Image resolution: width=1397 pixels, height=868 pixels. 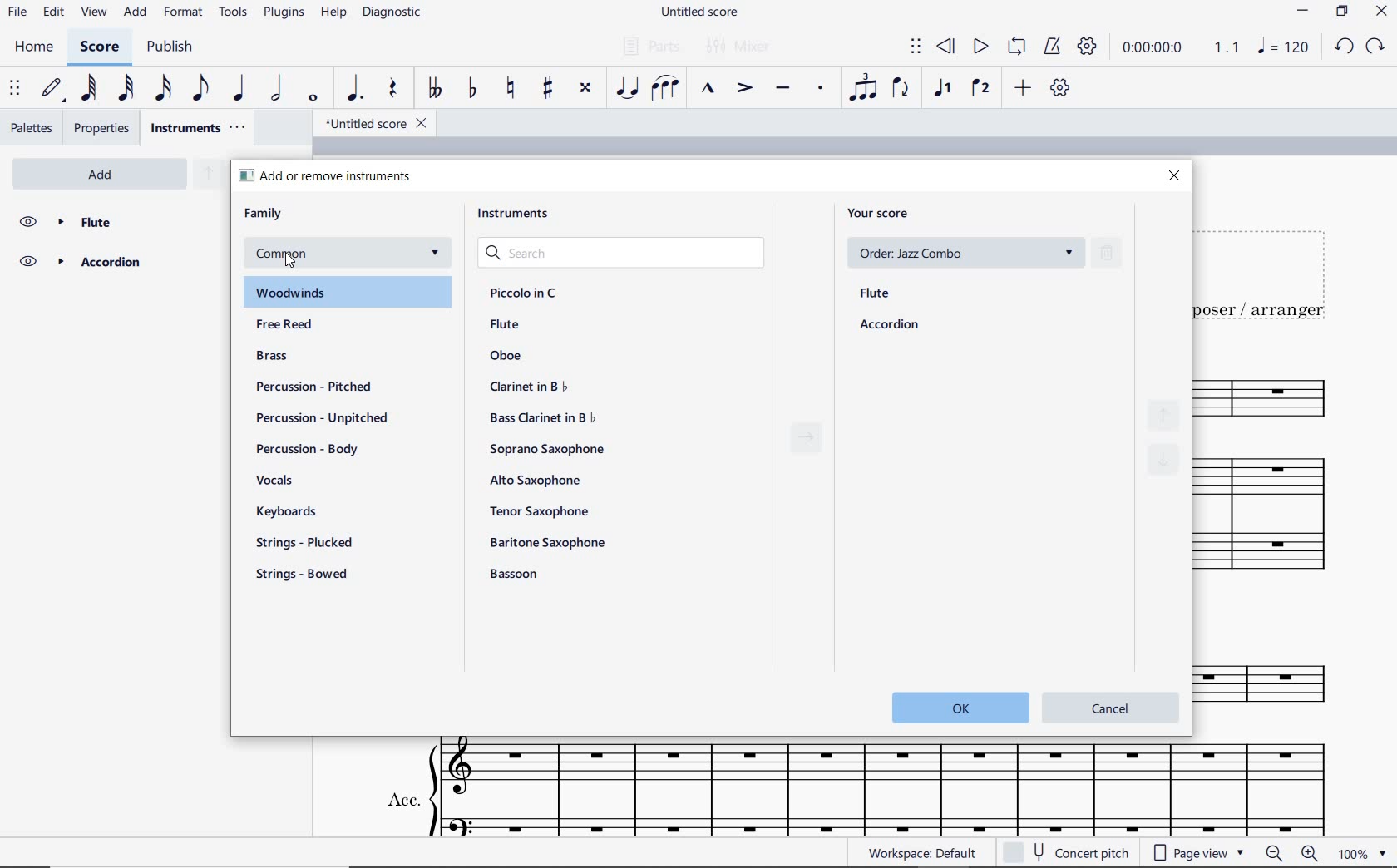 I want to click on add, so click(x=1021, y=89).